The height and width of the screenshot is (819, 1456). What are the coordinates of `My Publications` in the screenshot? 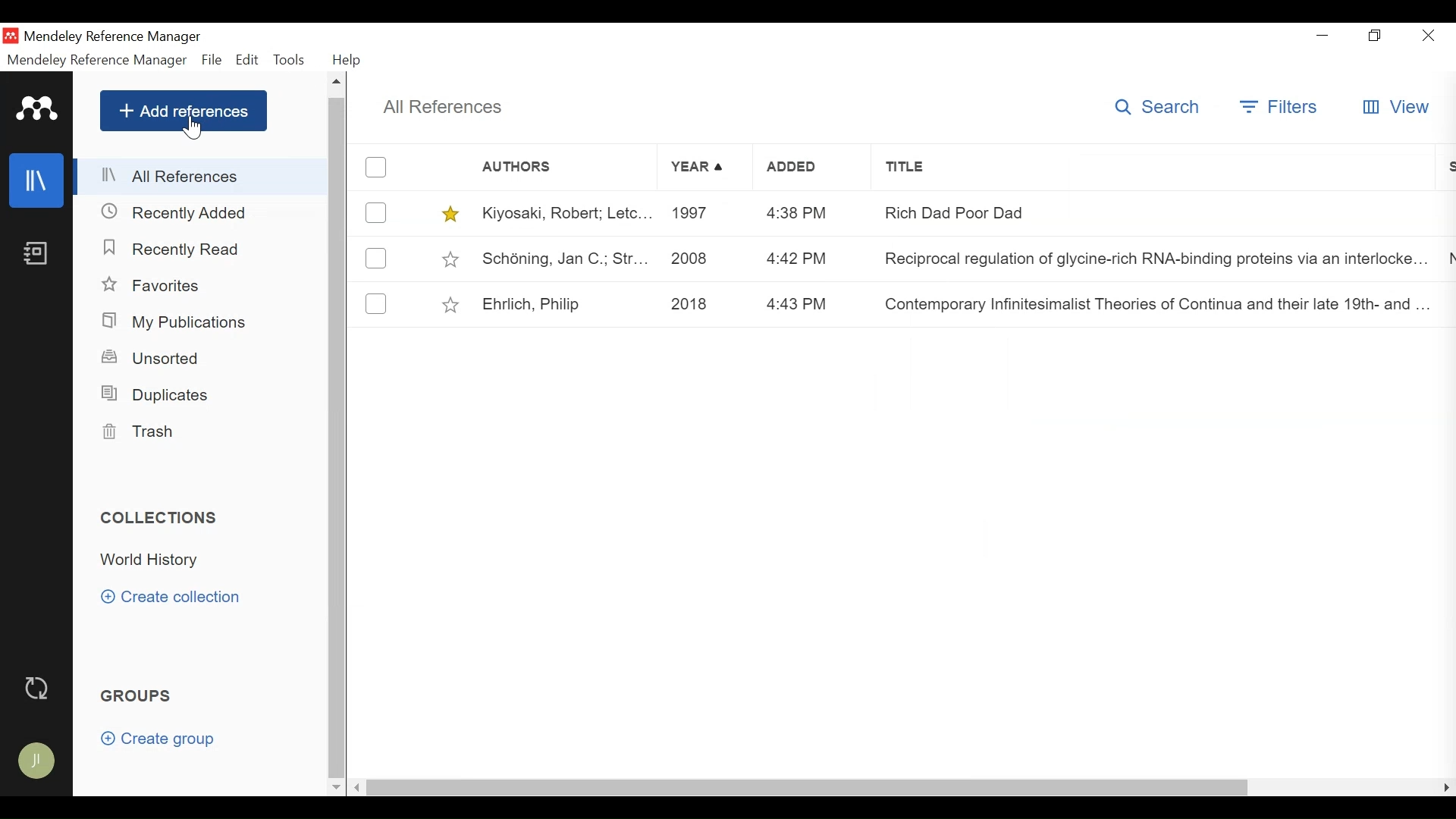 It's located at (177, 321).